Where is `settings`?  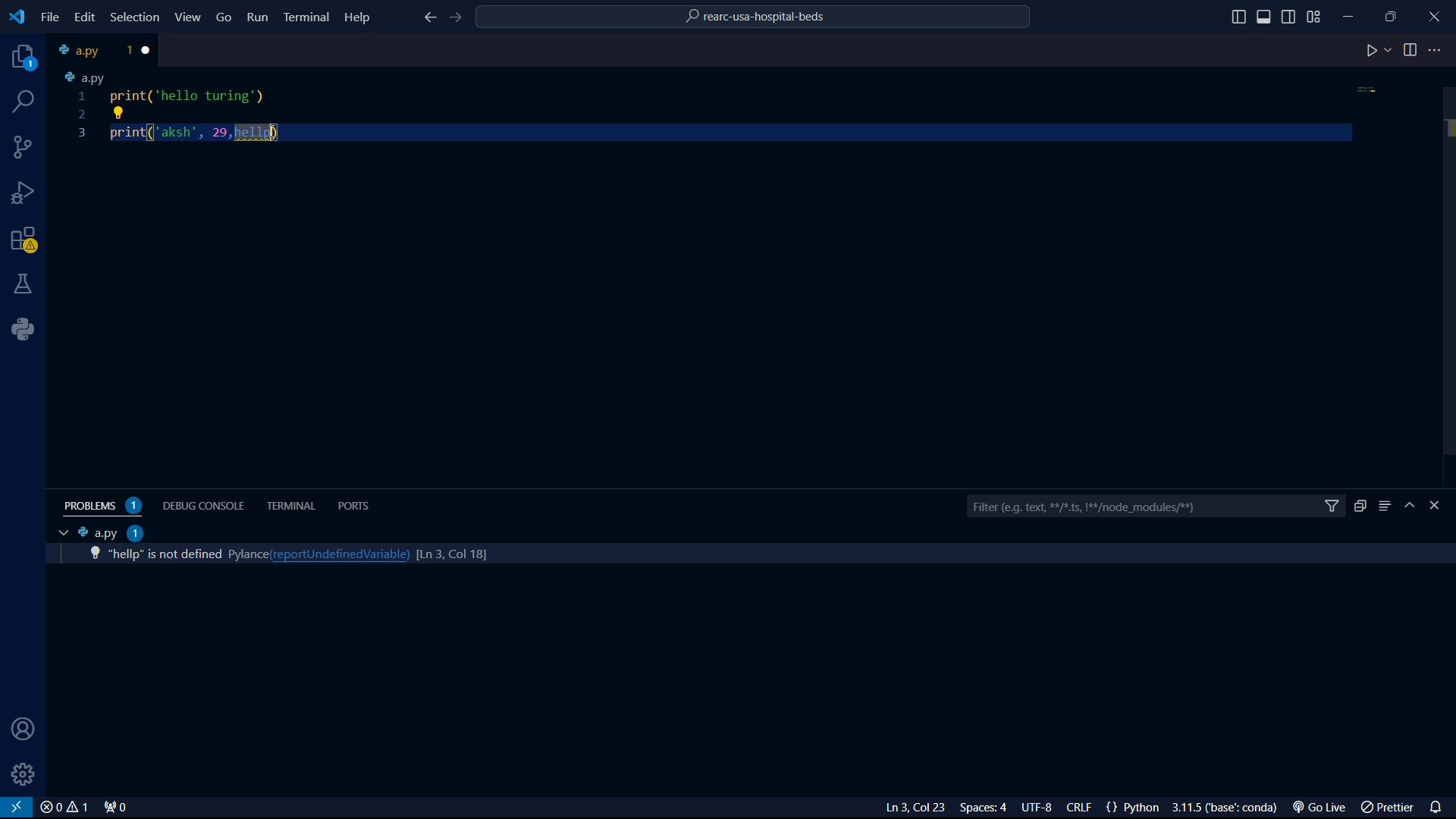
settings is located at coordinates (24, 774).